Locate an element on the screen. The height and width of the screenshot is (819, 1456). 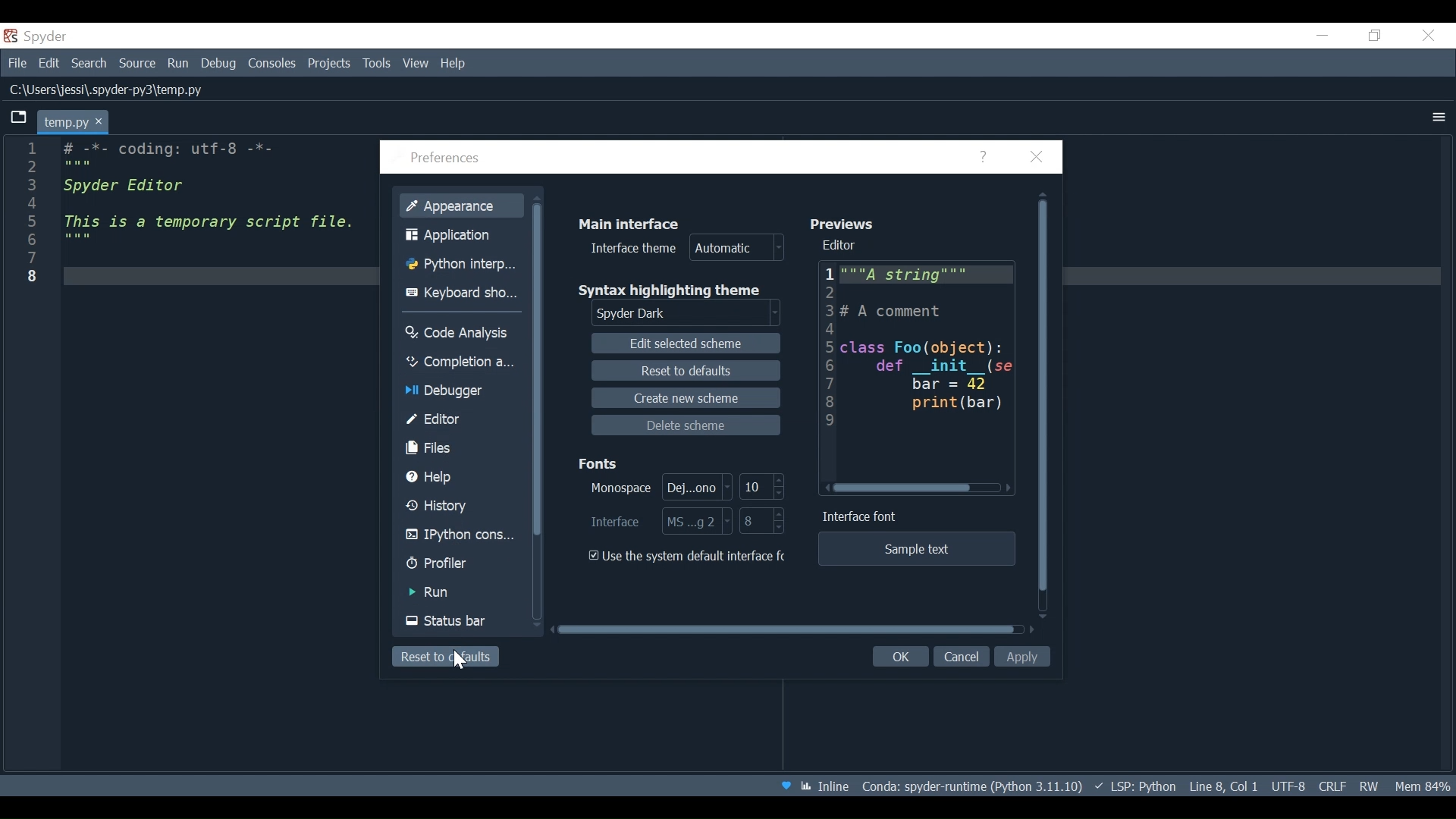
Editor is located at coordinates (843, 246).